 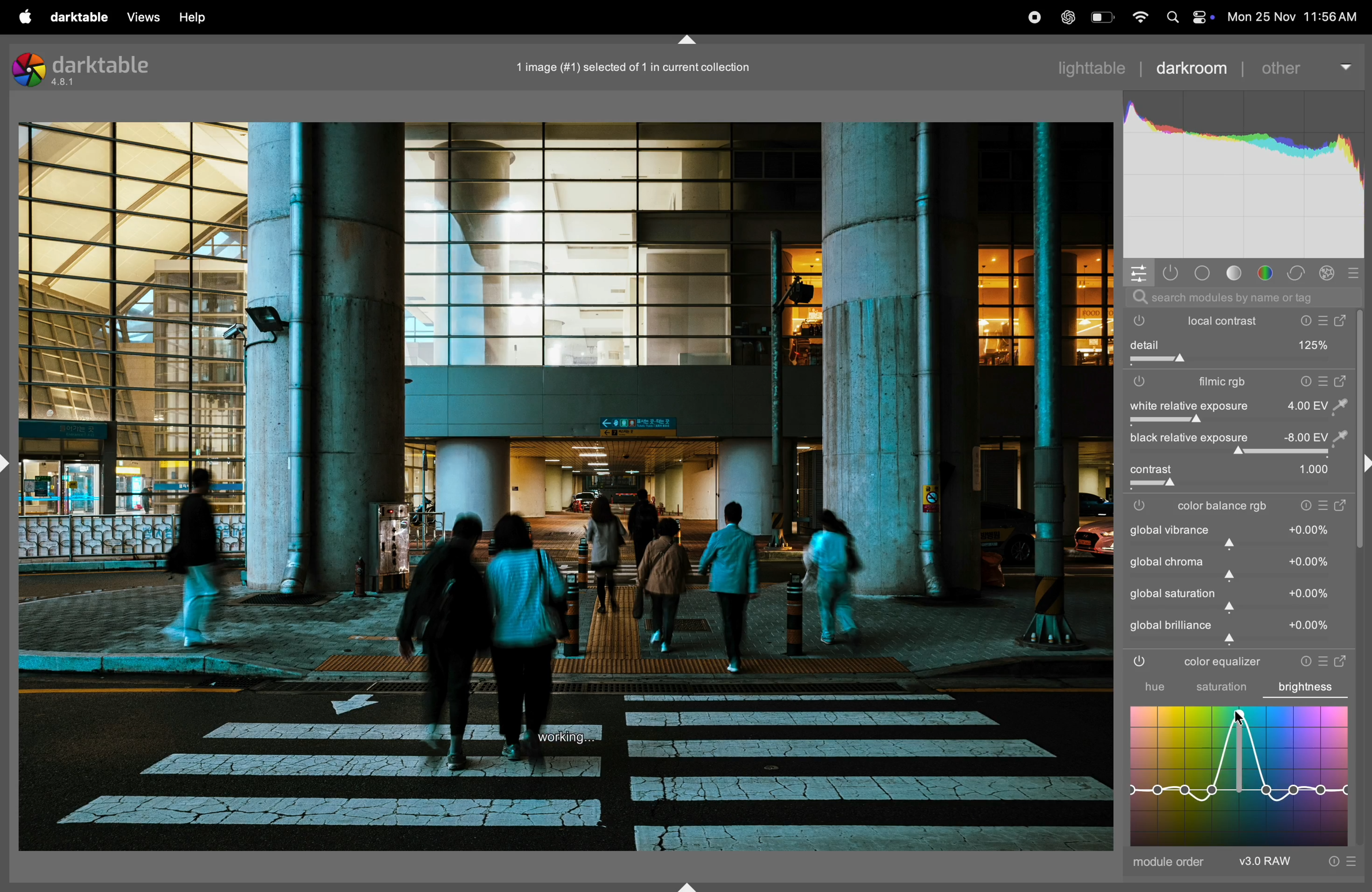 What do you see at coordinates (9, 463) in the screenshot?
I see `Collapse or expand ` at bounding box center [9, 463].